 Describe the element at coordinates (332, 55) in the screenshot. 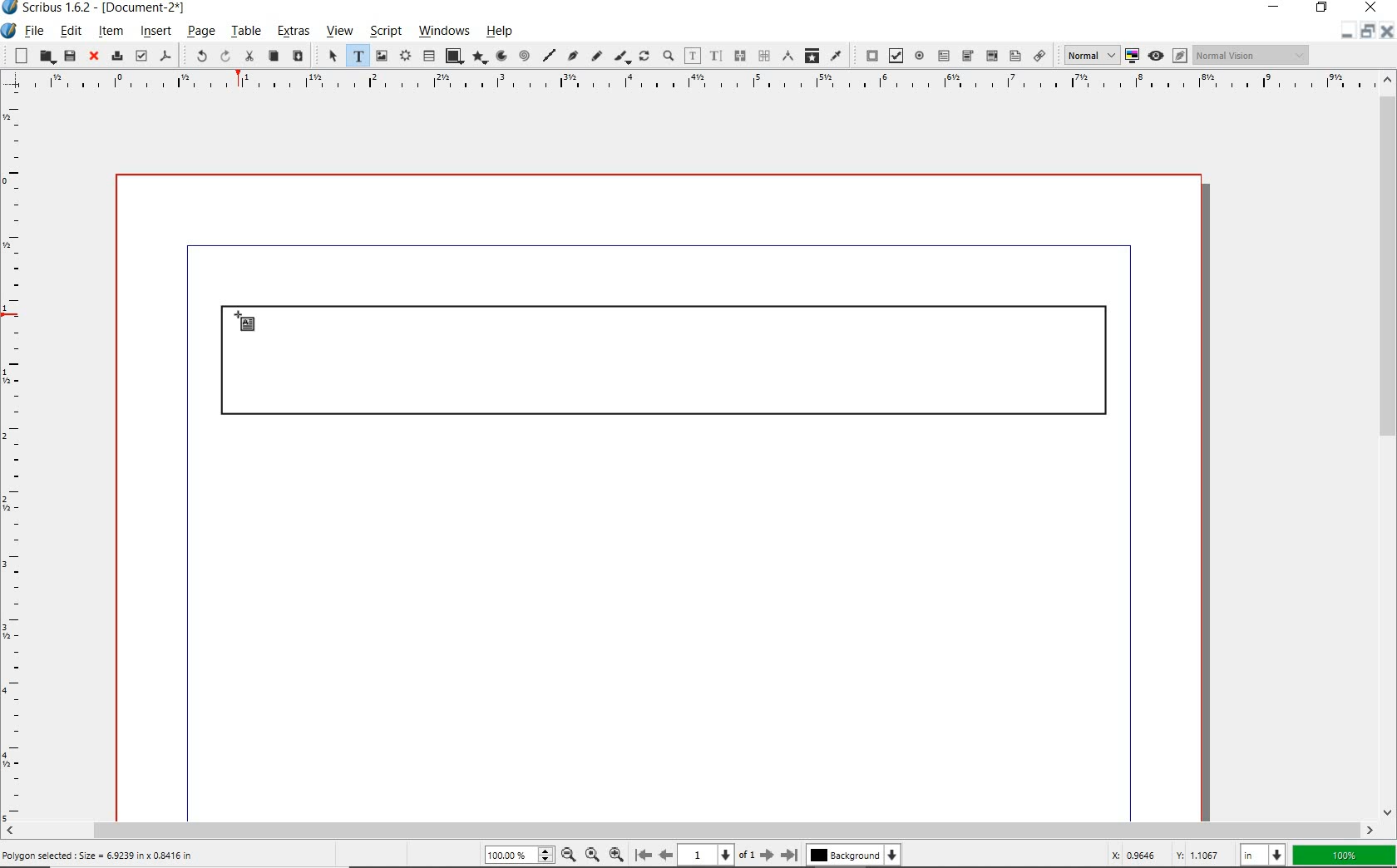

I see `select item` at that location.